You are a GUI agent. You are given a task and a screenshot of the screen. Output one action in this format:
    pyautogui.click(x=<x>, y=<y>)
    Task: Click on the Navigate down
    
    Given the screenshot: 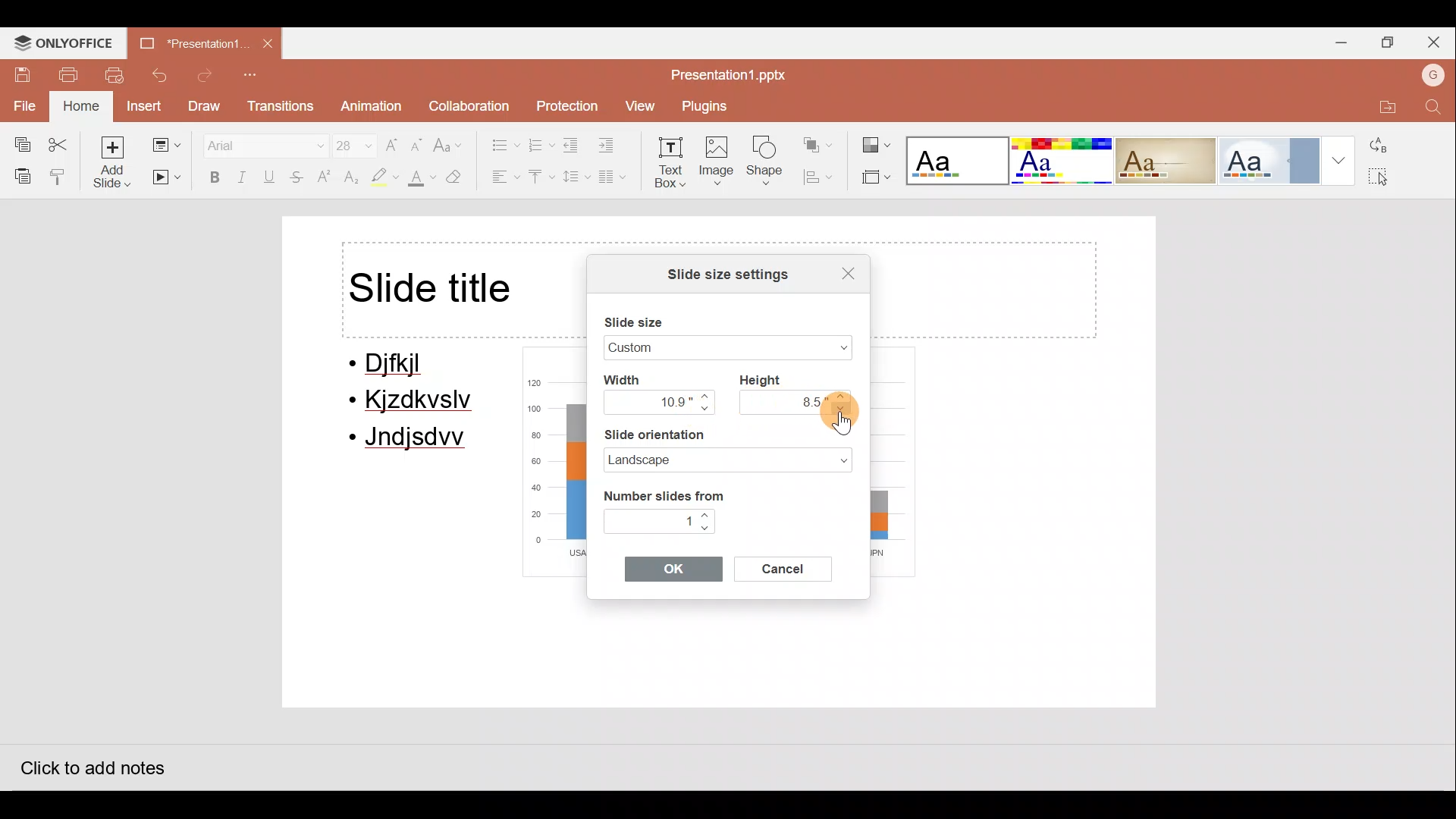 What is the action you would take?
    pyautogui.click(x=844, y=409)
    